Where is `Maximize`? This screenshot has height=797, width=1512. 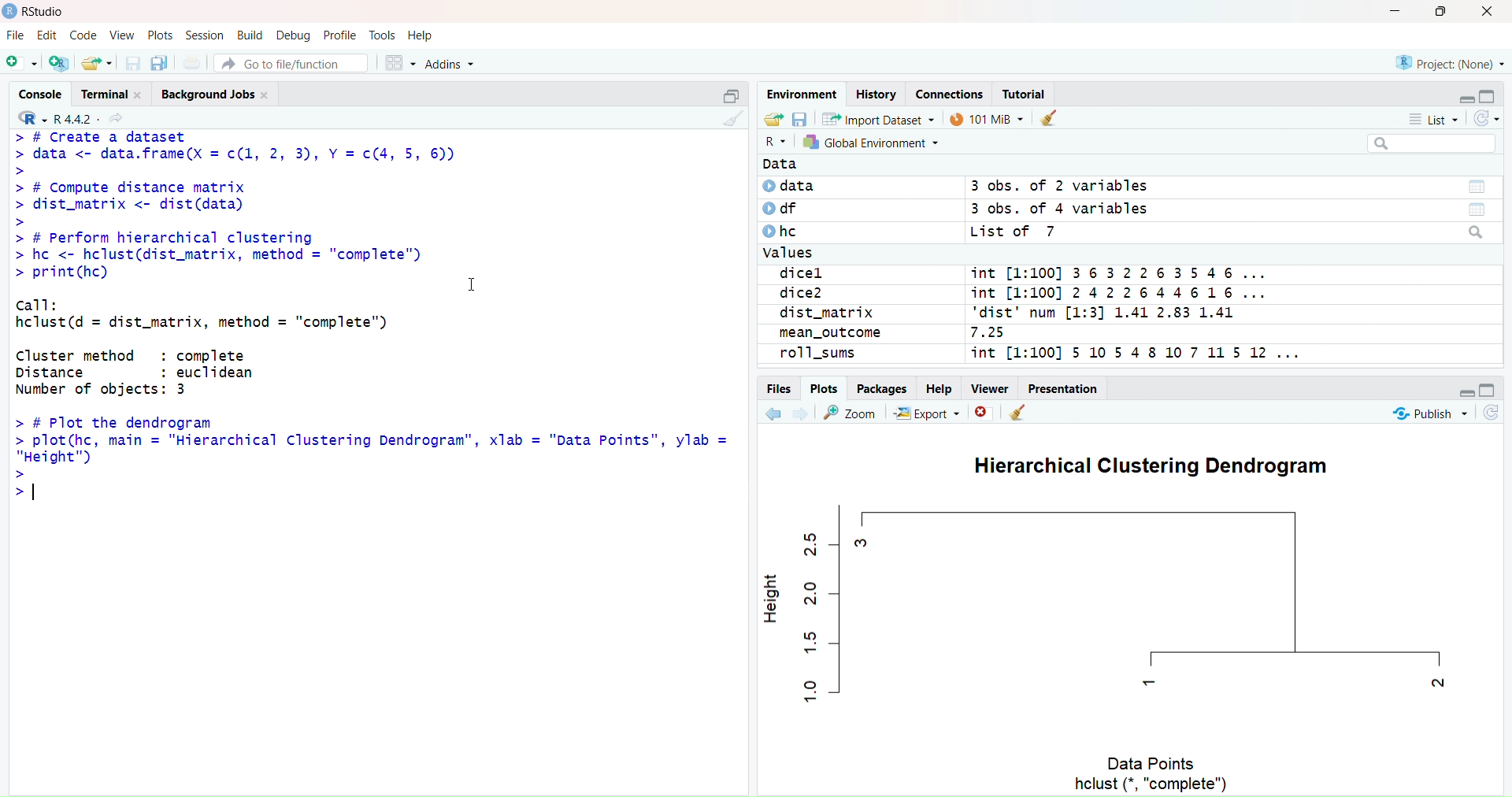
Maximize is located at coordinates (736, 93).